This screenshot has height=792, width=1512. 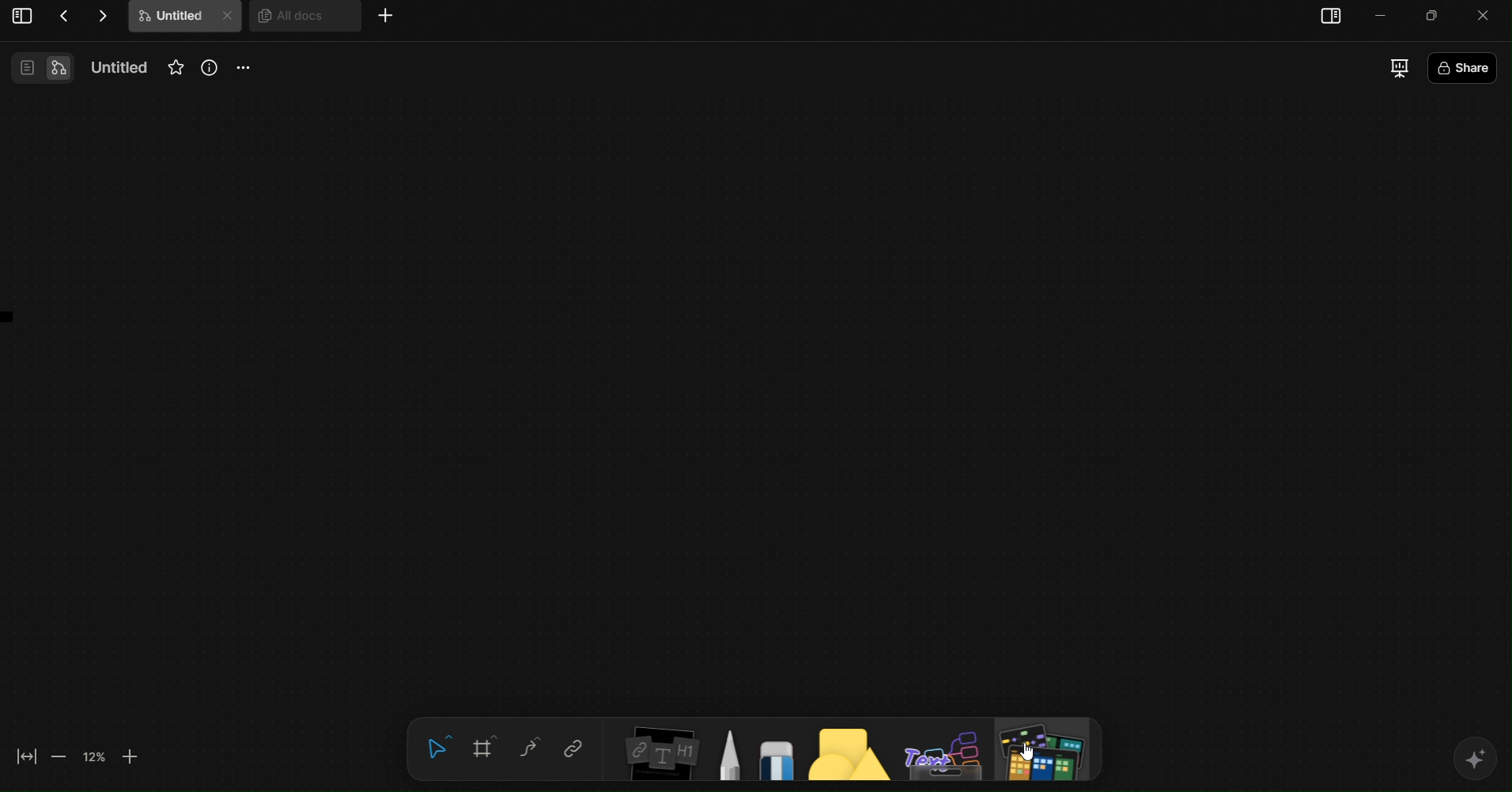 I want to click on Shapes tool, so click(x=846, y=753).